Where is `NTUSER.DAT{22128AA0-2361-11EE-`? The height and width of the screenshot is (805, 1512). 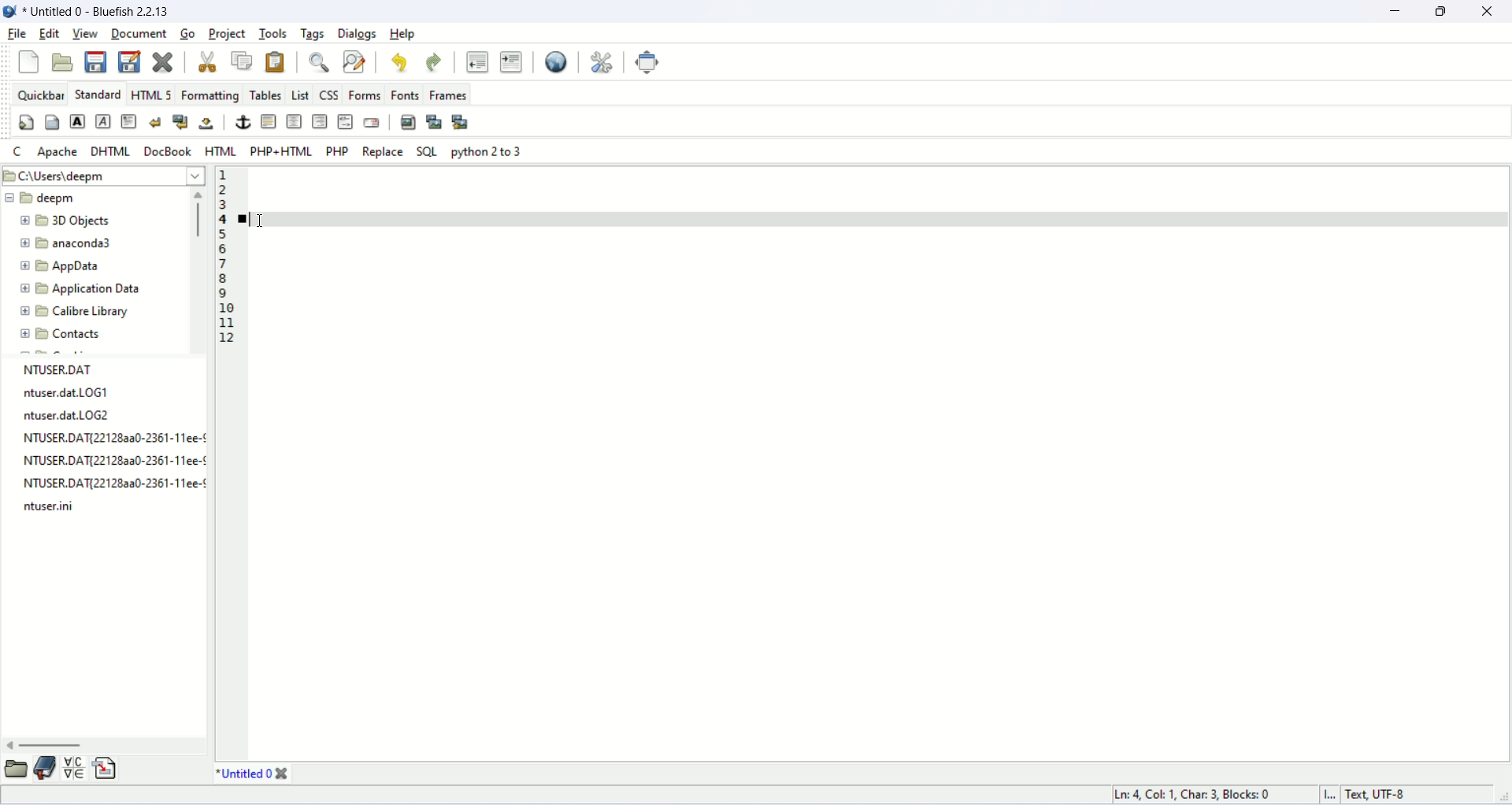
NTUSER.DAT{22128AA0-2361-11EE- is located at coordinates (116, 463).